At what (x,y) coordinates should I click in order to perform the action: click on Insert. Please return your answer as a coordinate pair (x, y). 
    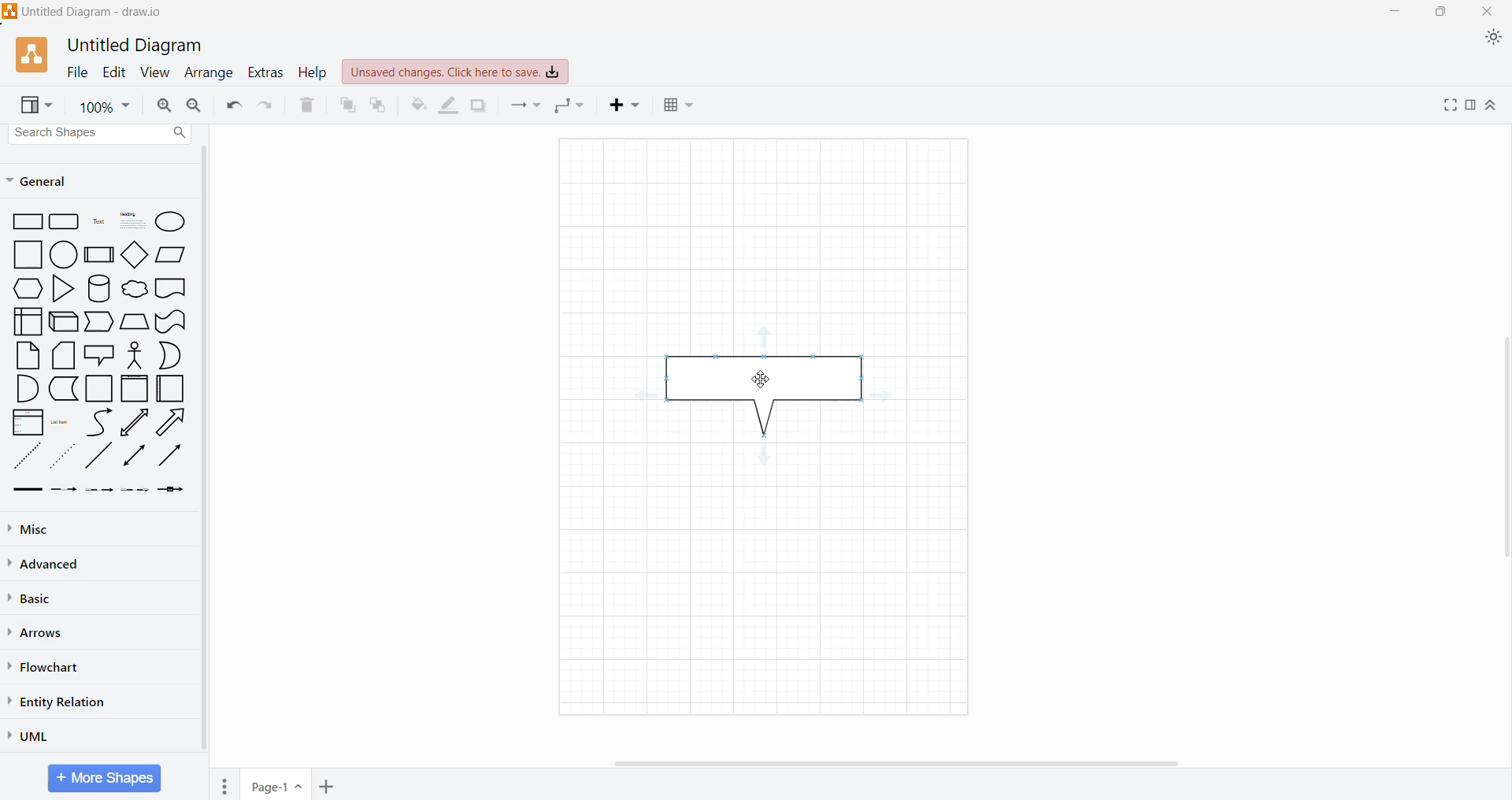
    Looking at the image, I should click on (626, 106).